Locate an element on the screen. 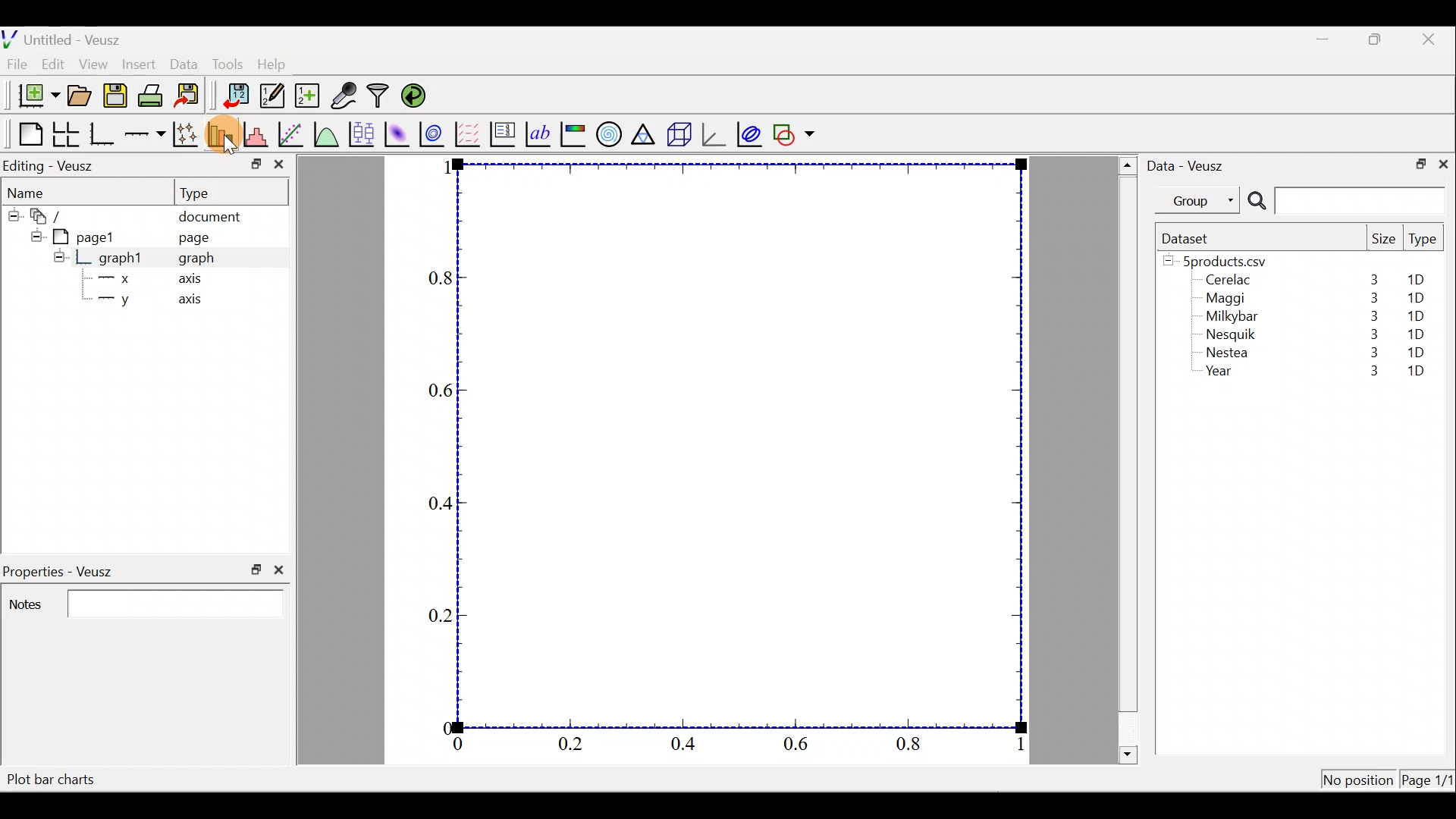 The width and height of the screenshot is (1456, 819). Plot a function is located at coordinates (327, 133).